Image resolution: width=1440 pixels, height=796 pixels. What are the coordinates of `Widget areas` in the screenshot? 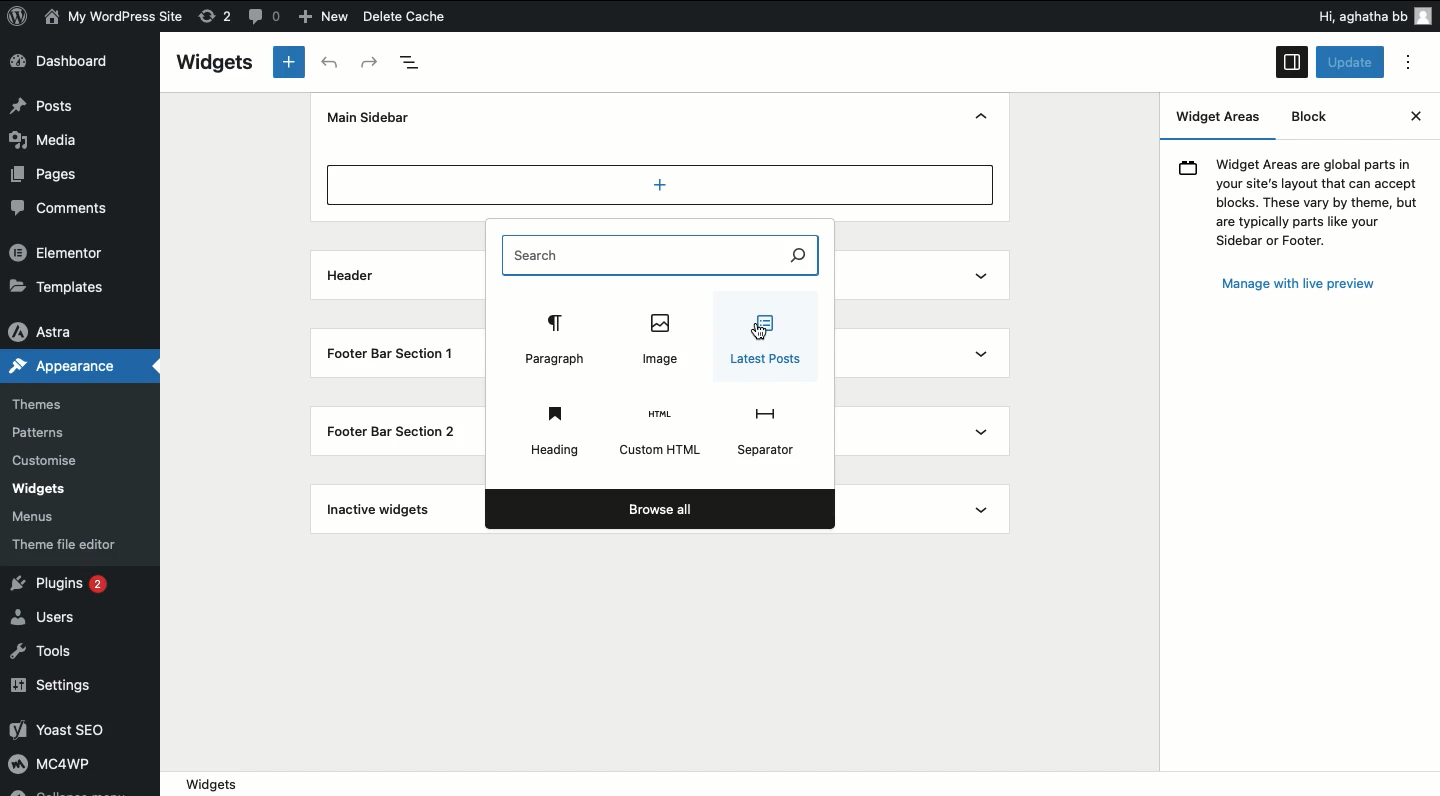 It's located at (1223, 120).